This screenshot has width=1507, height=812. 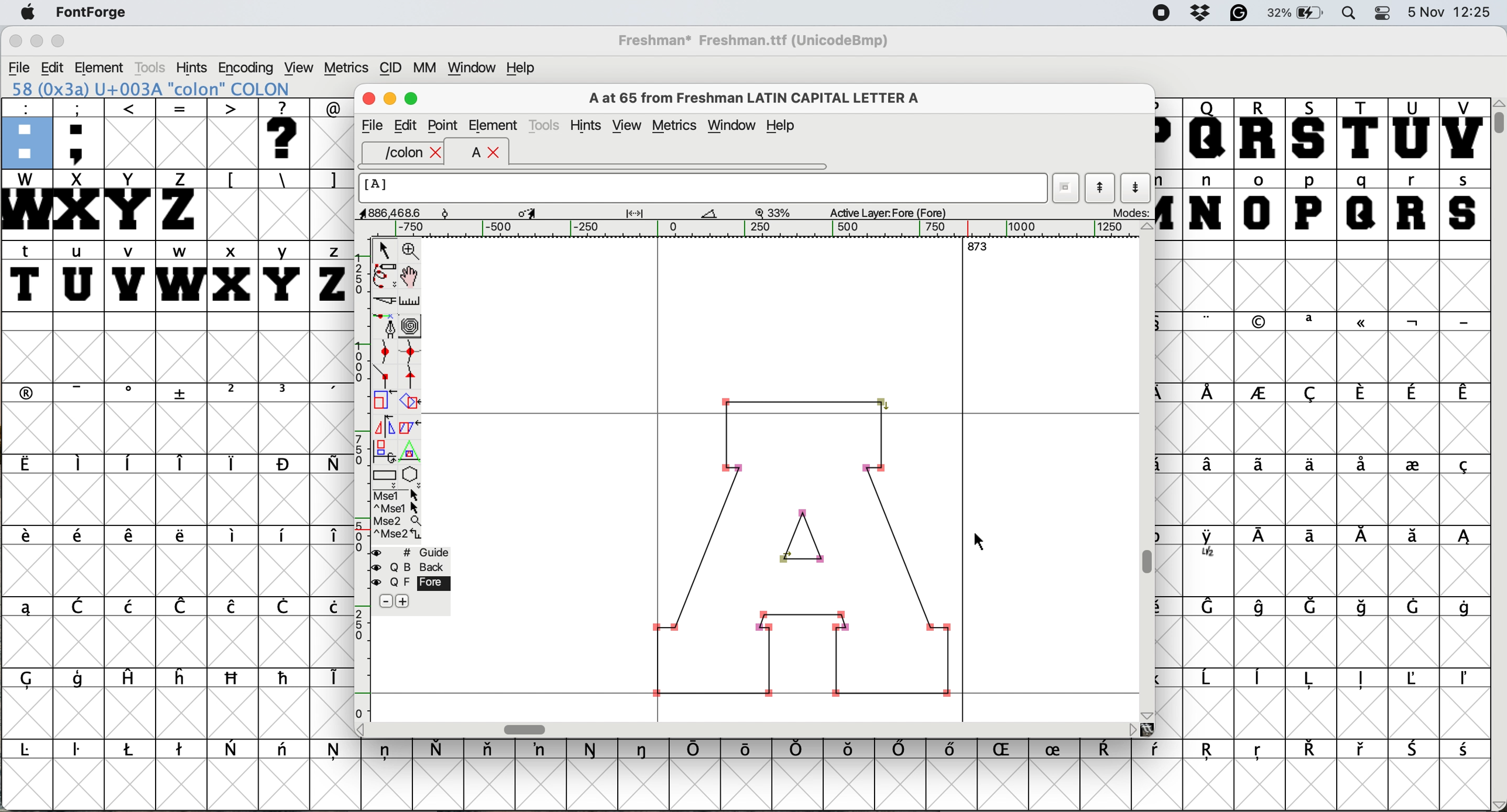 I want to click on ], so click(x=332, y=180).